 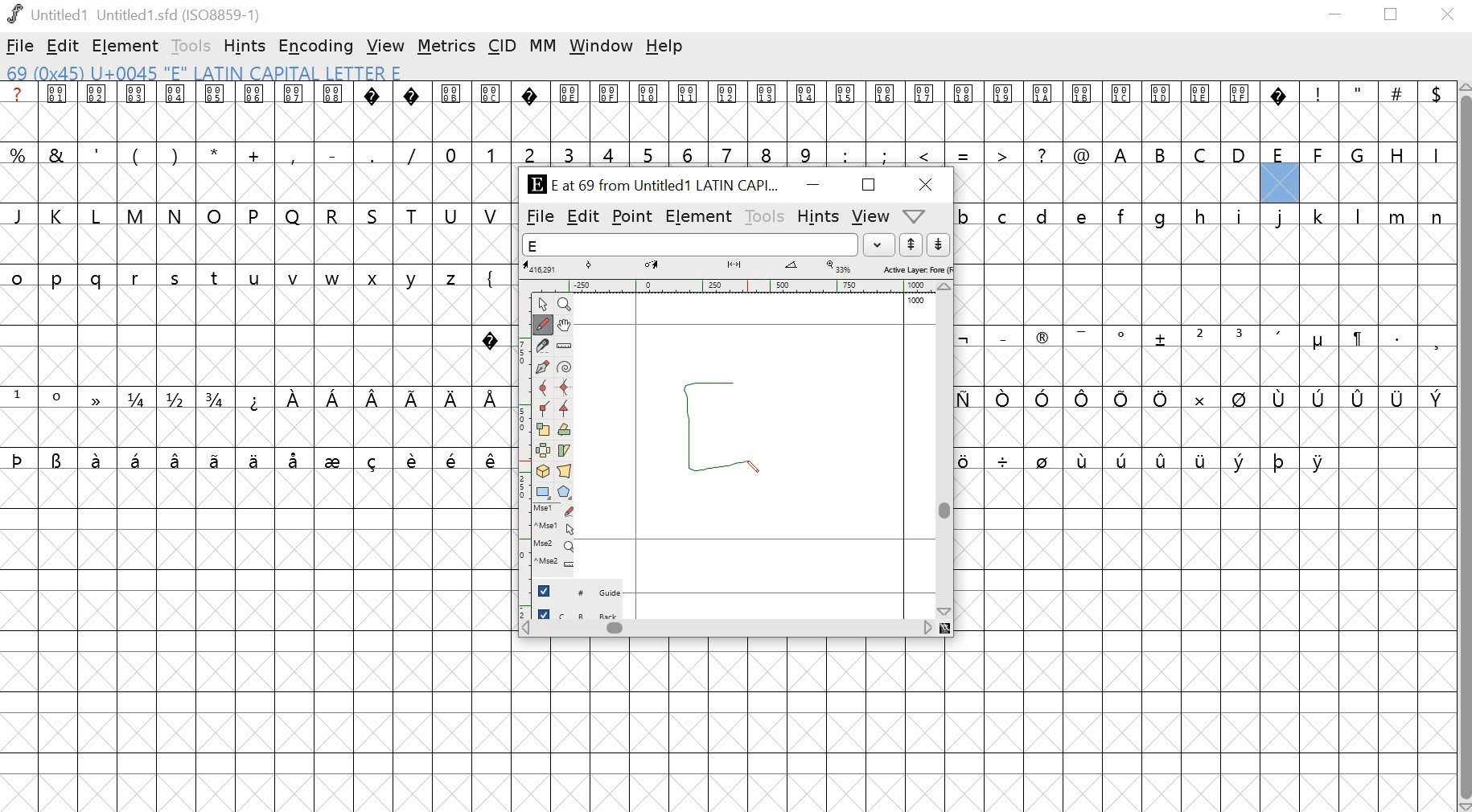 I want to click on Perspective, so click(x=566, y=473).